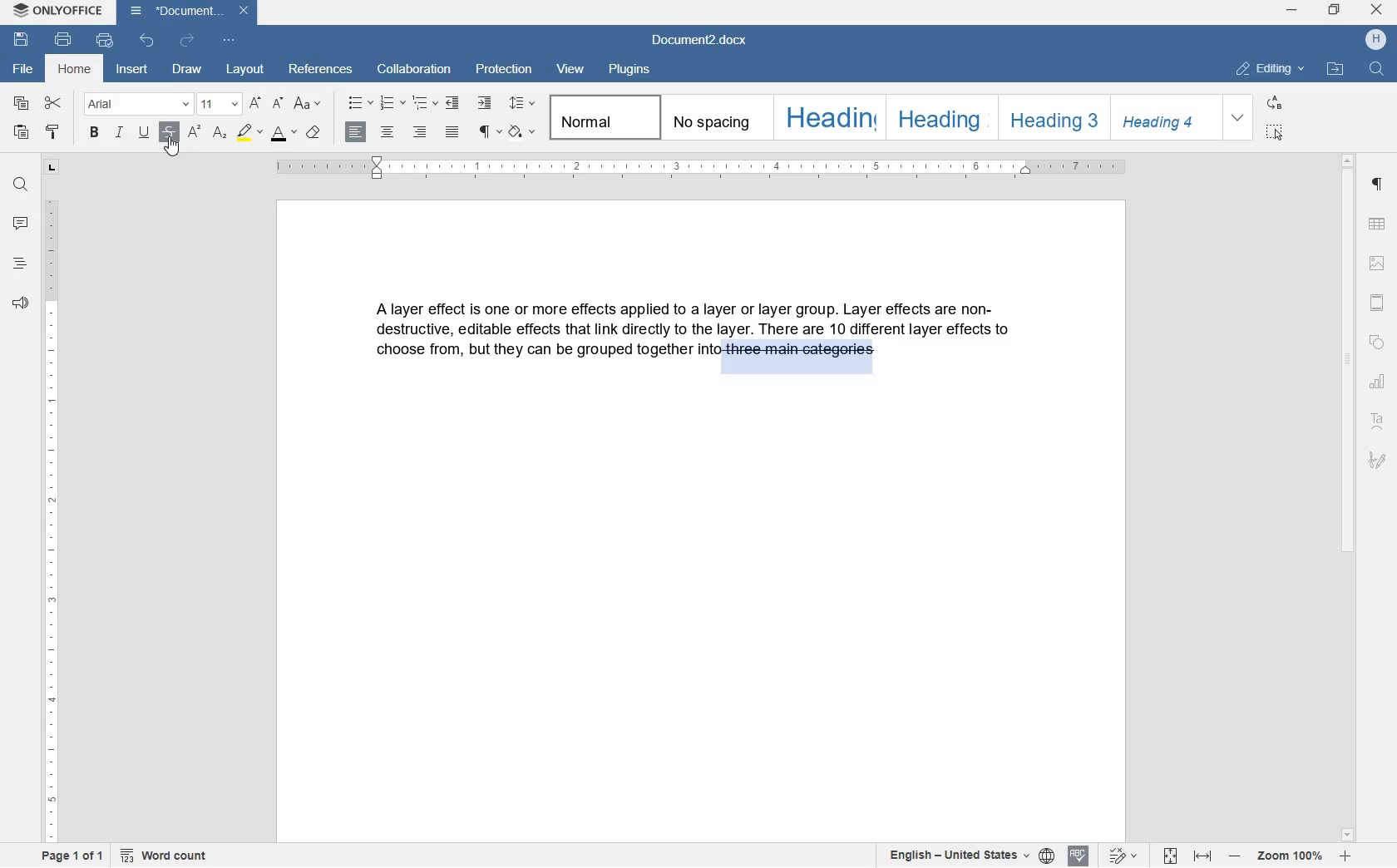  What do you see at coordinates (423, 103) in the screenshot?
I see `multilevel list` at bounding box center [423, 103].